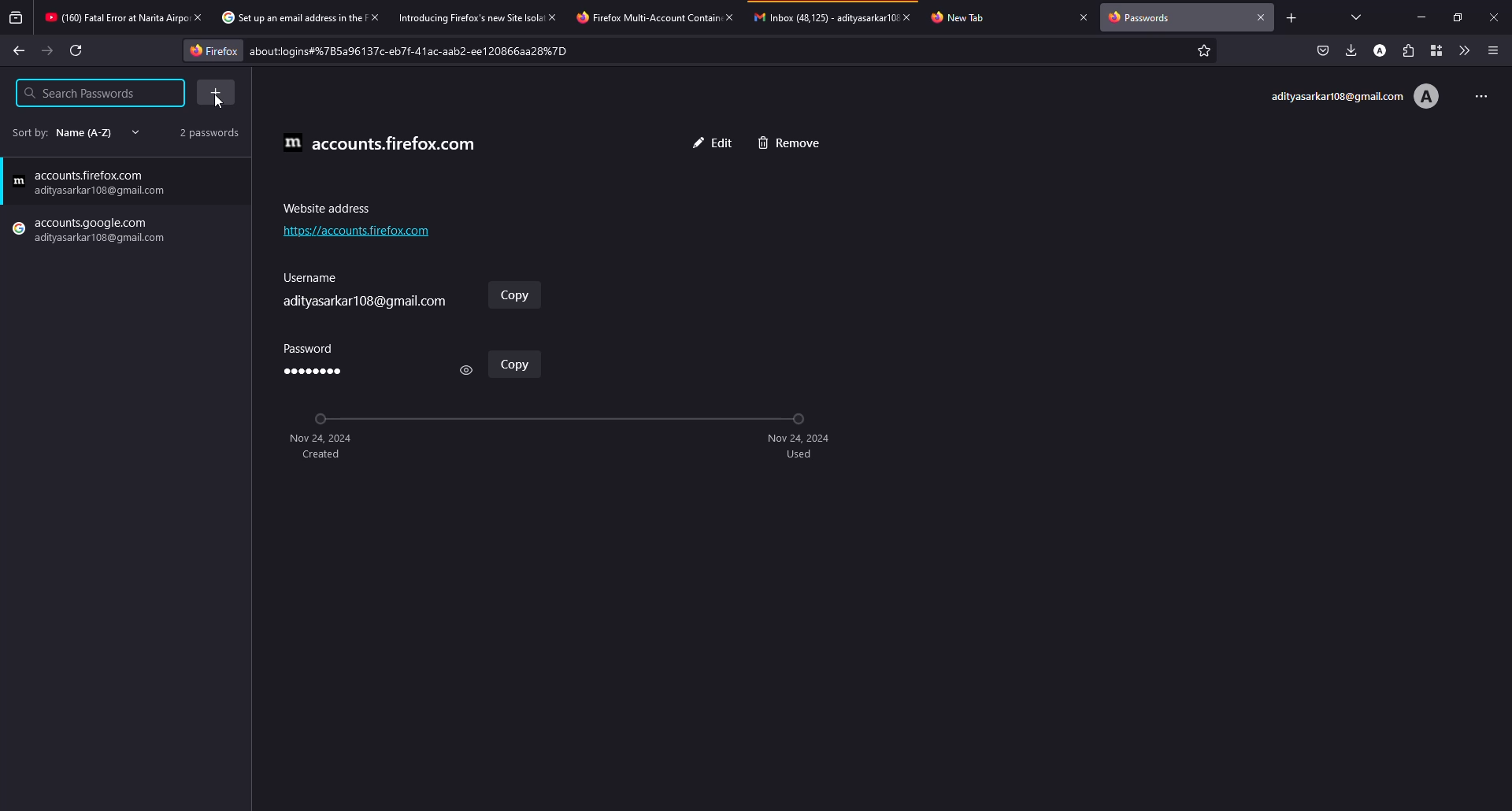  What do you see at coordinates (1262, 16) in the screenshot?
I see `close` at bounding box center [1262, 16].